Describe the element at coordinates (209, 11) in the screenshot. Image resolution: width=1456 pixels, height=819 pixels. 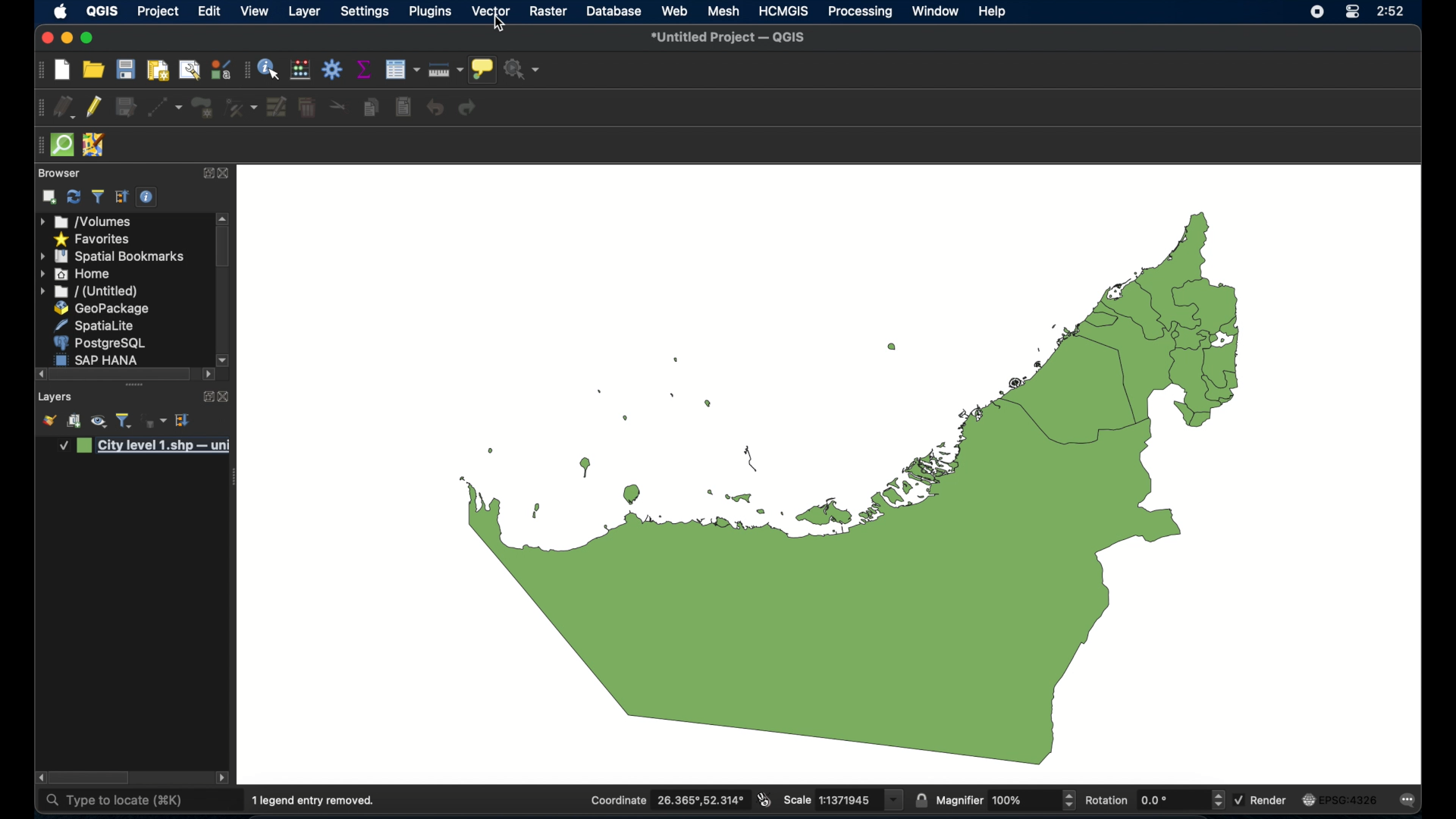
I see `edit` at that location.